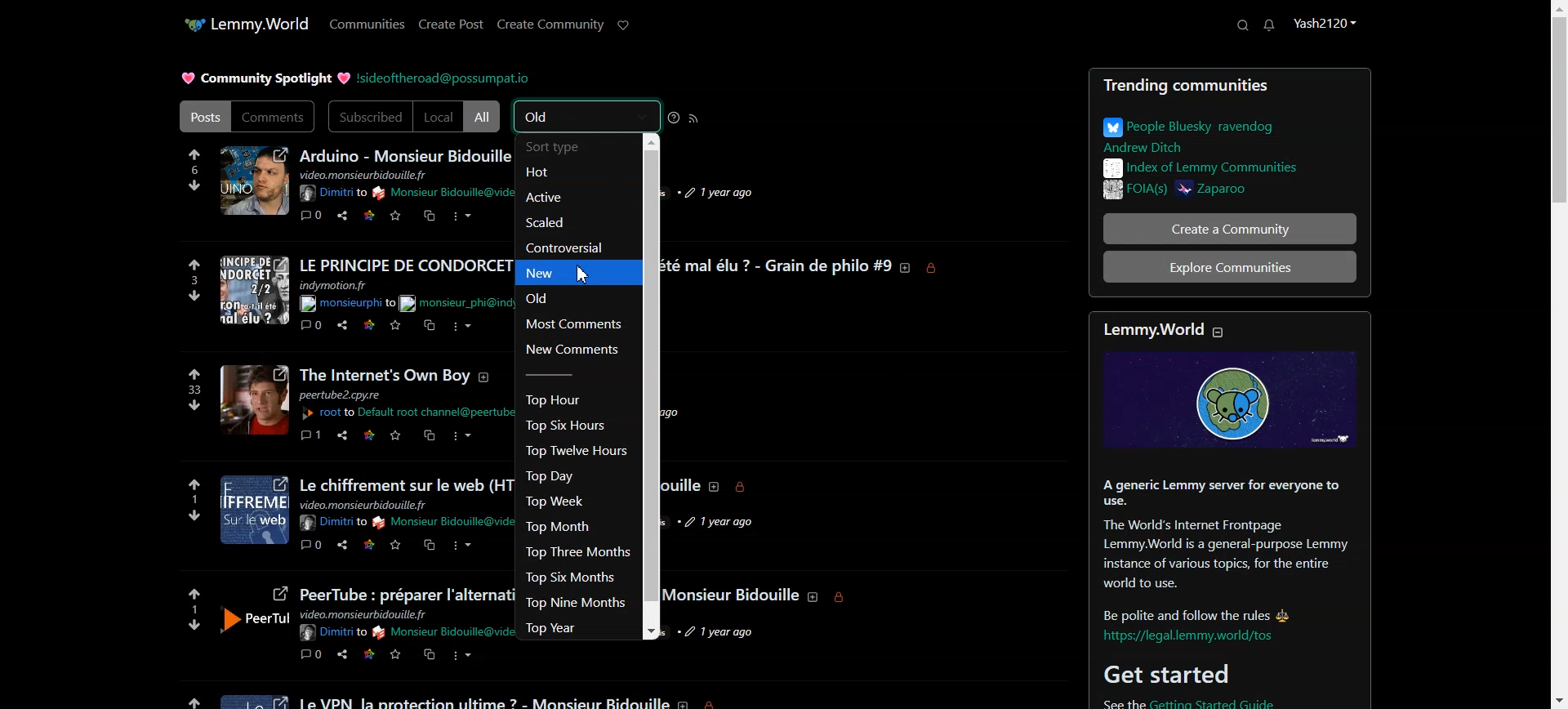 The height and width of the screenshot is (709, 1568). I want to click on Comments, so click(274, 117).